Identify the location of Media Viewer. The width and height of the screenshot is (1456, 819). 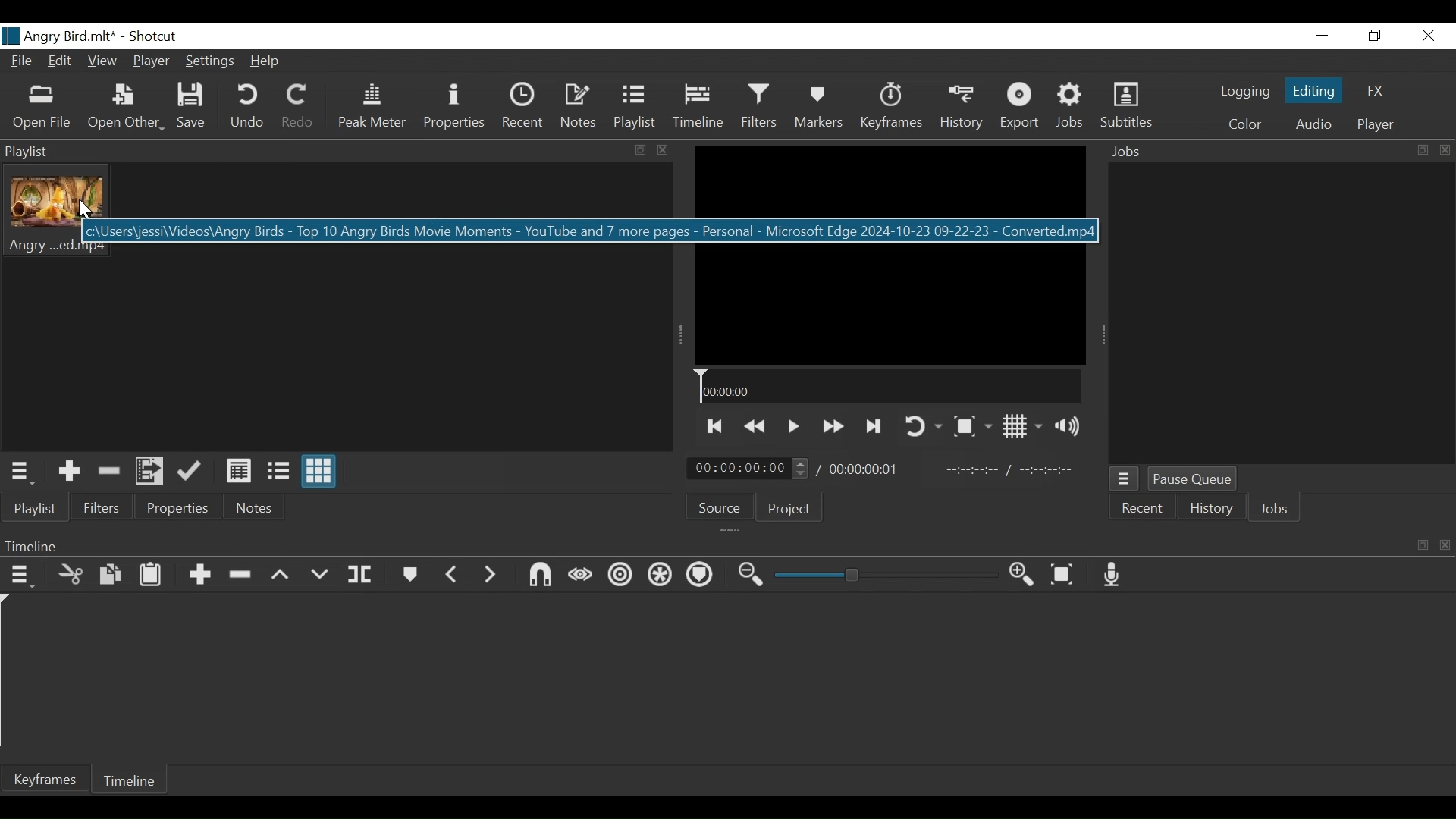
(890, 255).